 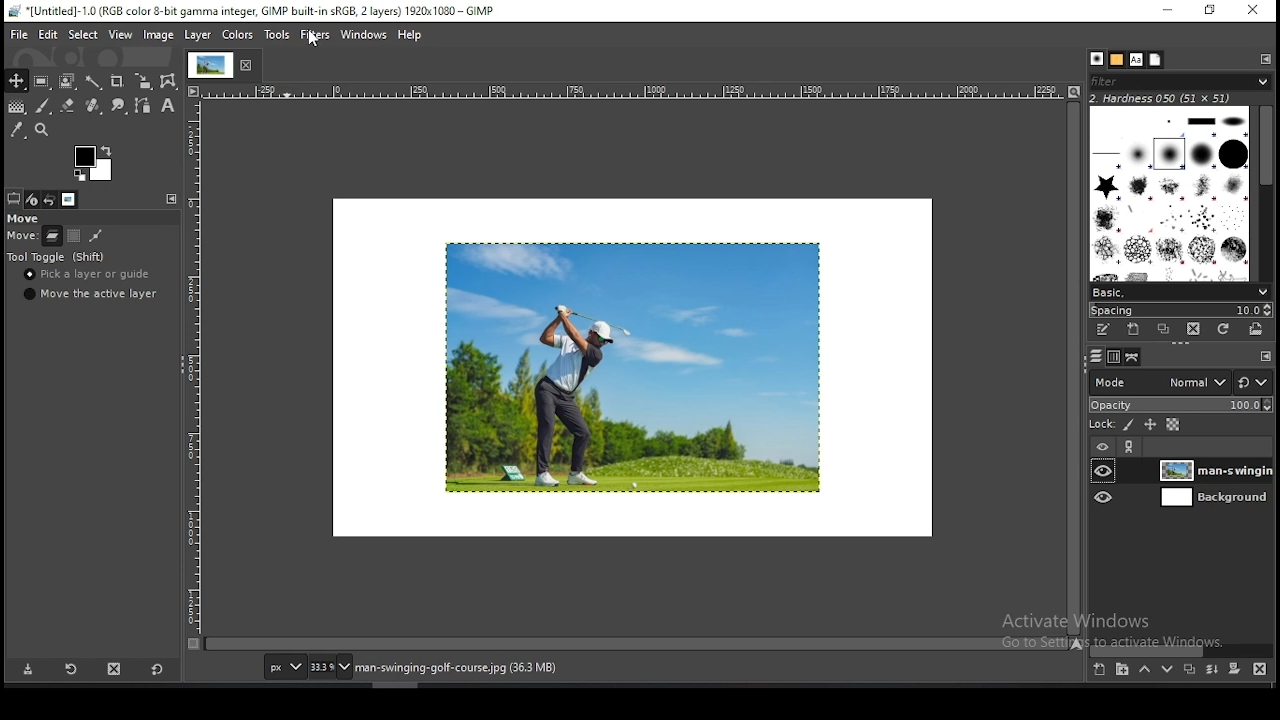 I want to click on hardness 050 (51x51), so click(x=1163, y=98).